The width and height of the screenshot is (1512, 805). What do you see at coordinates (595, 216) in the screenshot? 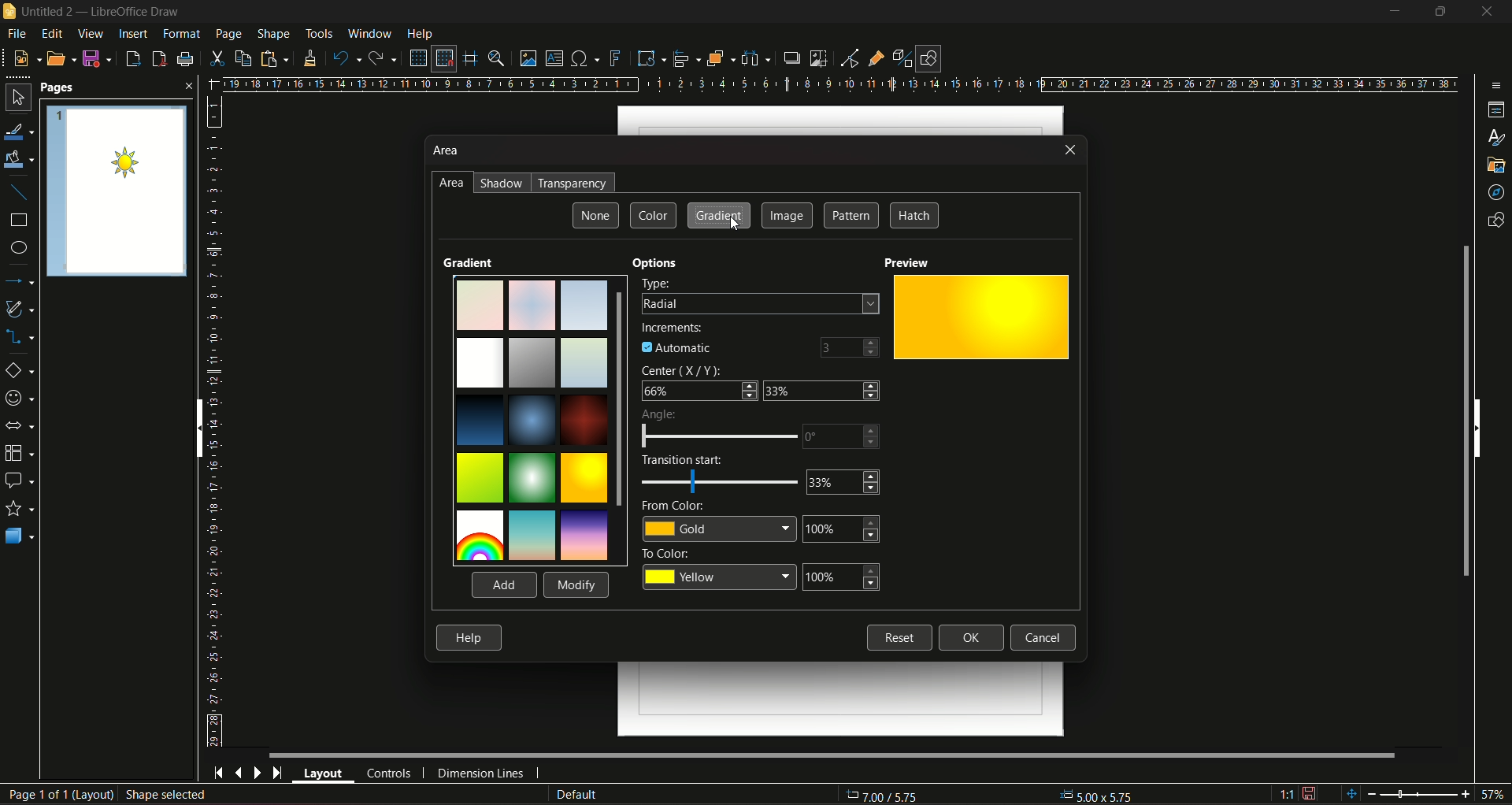
I see `None` at bounding box center [595, 216].